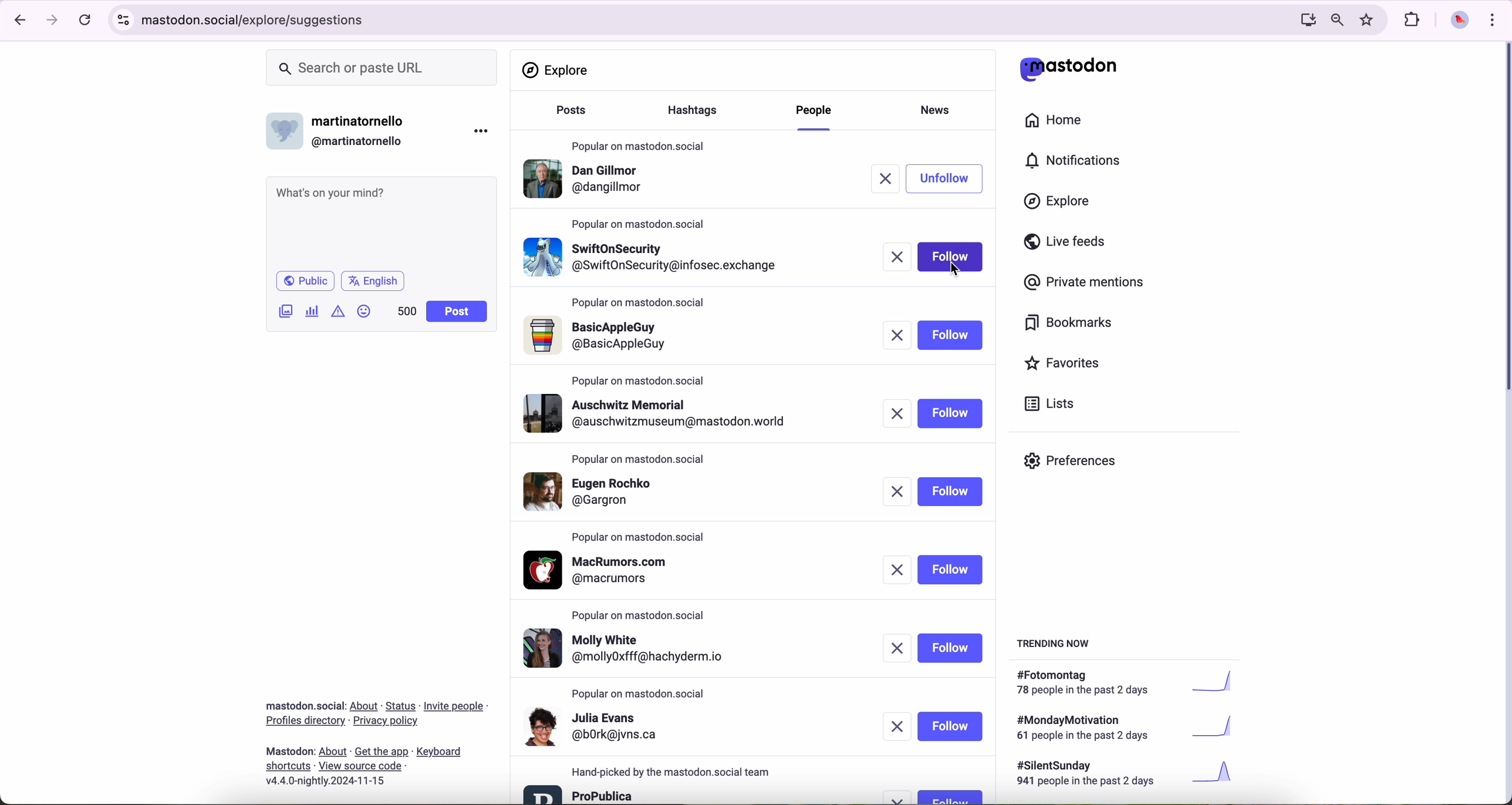 The image size is (1512, 805). I want to click on live feeds, so click(1069, 244).